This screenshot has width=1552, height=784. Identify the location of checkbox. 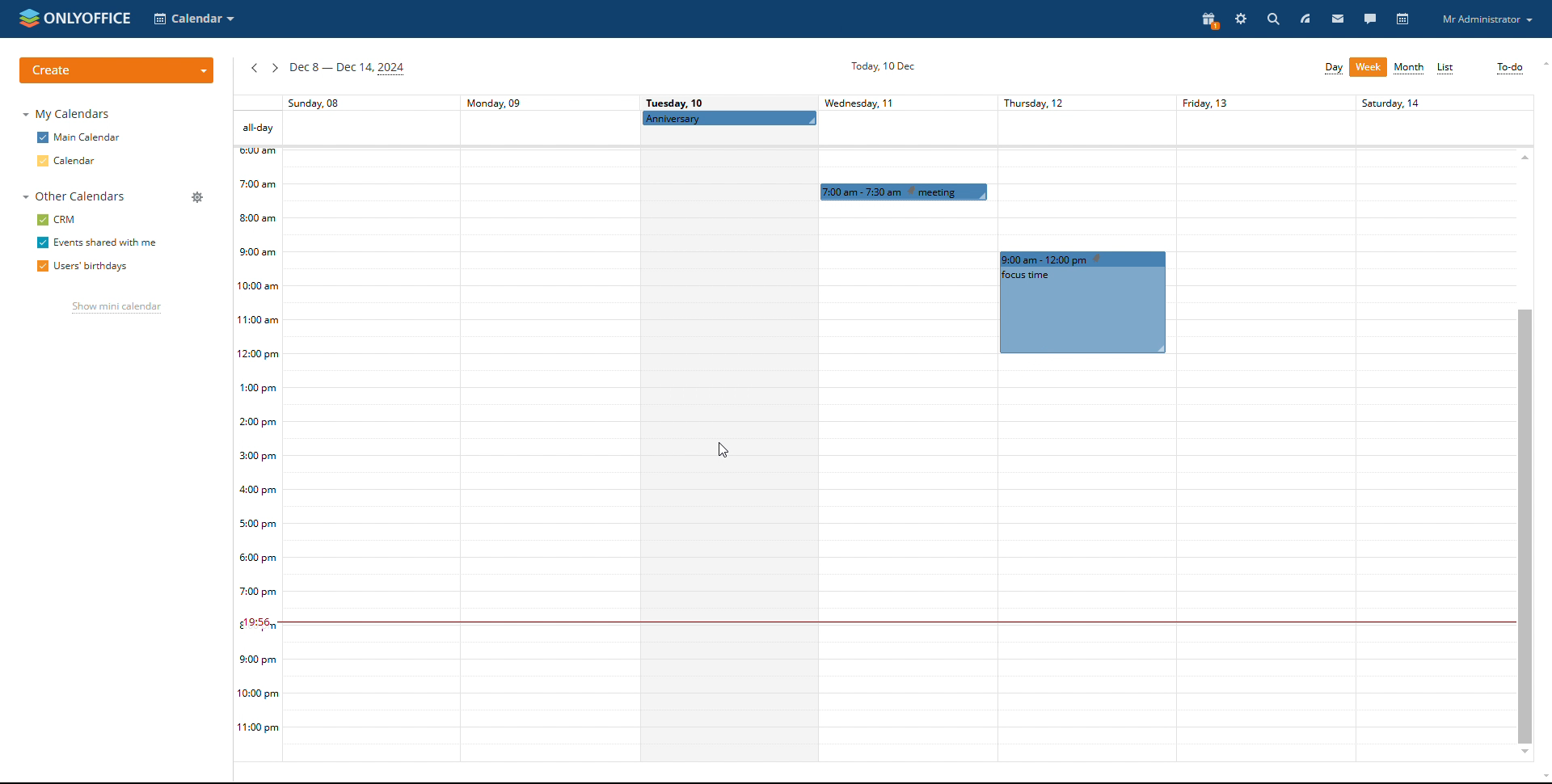
(41, 242).